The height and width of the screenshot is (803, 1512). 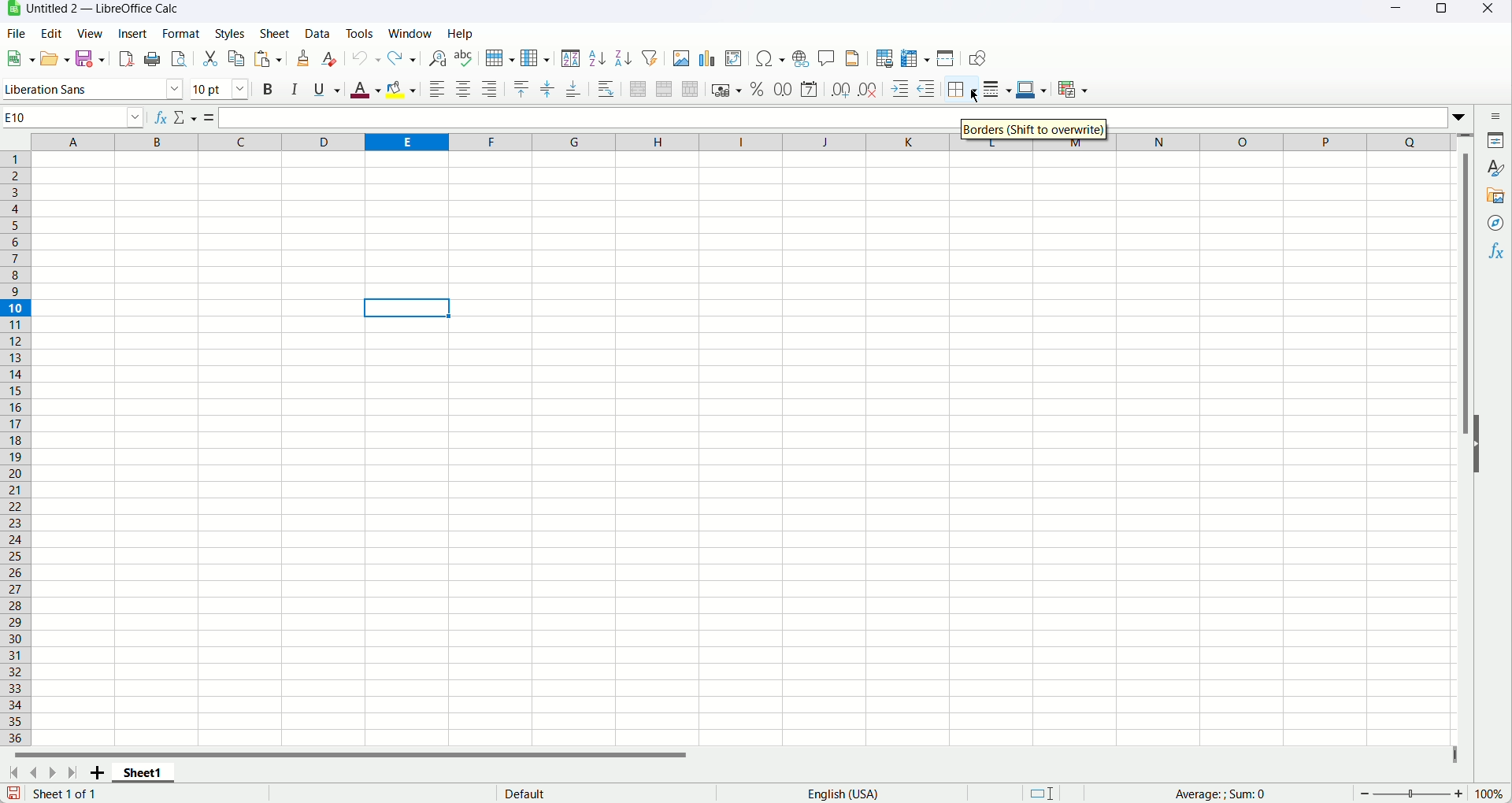 I want to click on Format, so click(x=181, y=33).